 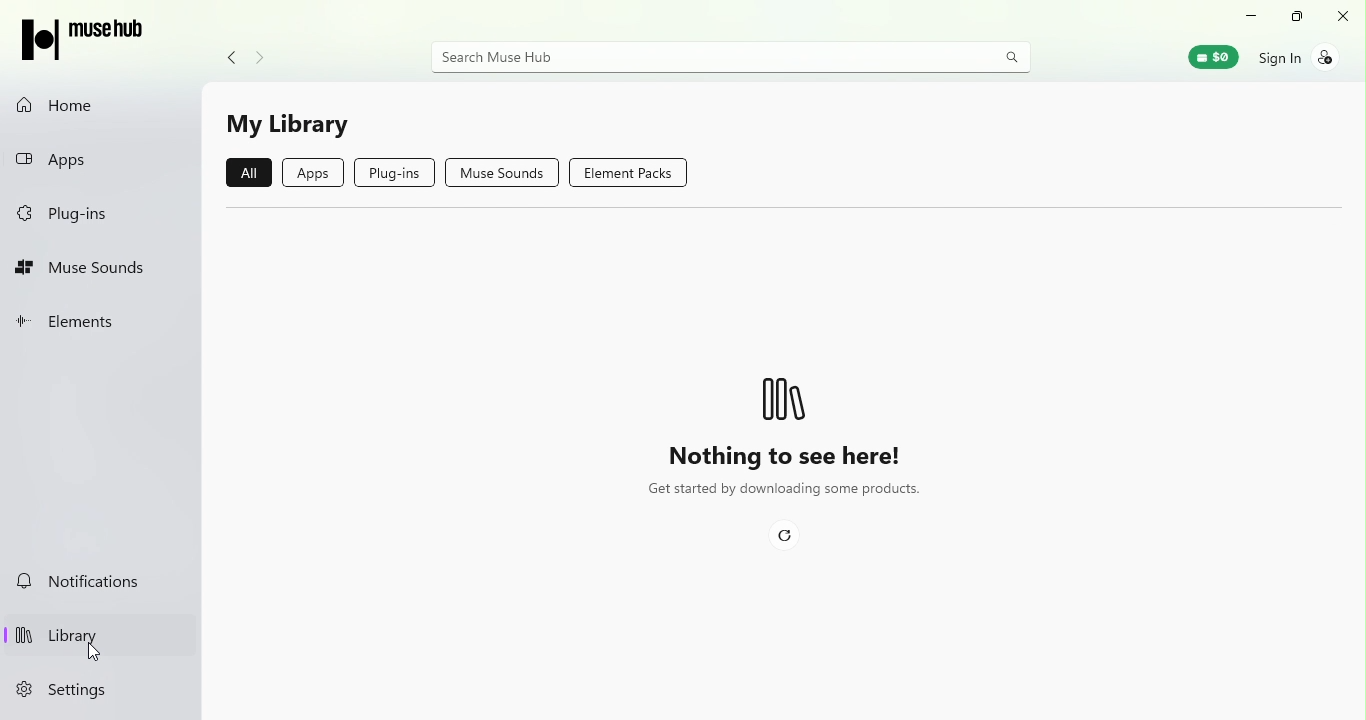 I want to click on Home, so click(x=102, y=107).